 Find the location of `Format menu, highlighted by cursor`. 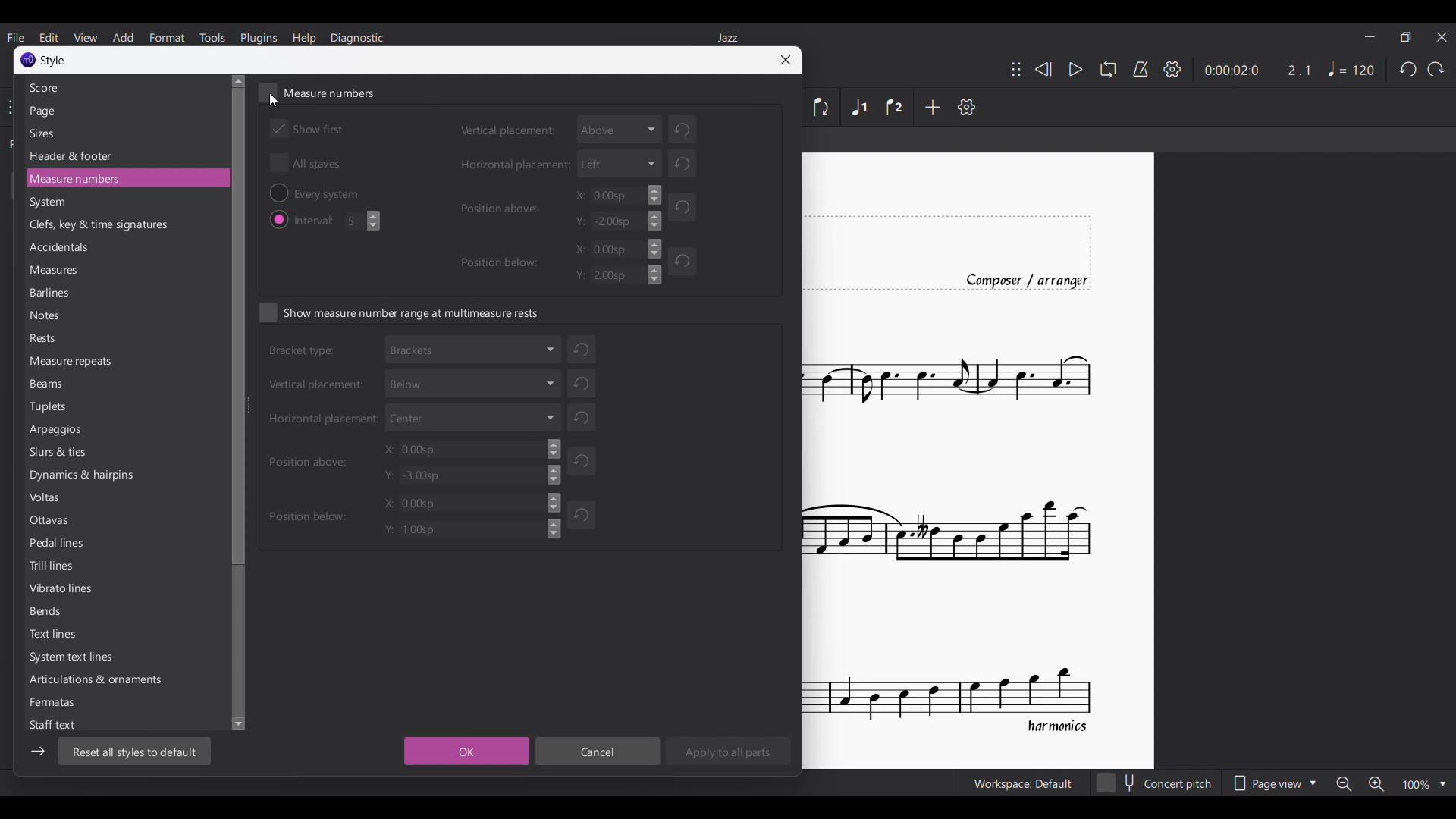

Format menu, highlighted by cursor is located at coordinates (166, 37).